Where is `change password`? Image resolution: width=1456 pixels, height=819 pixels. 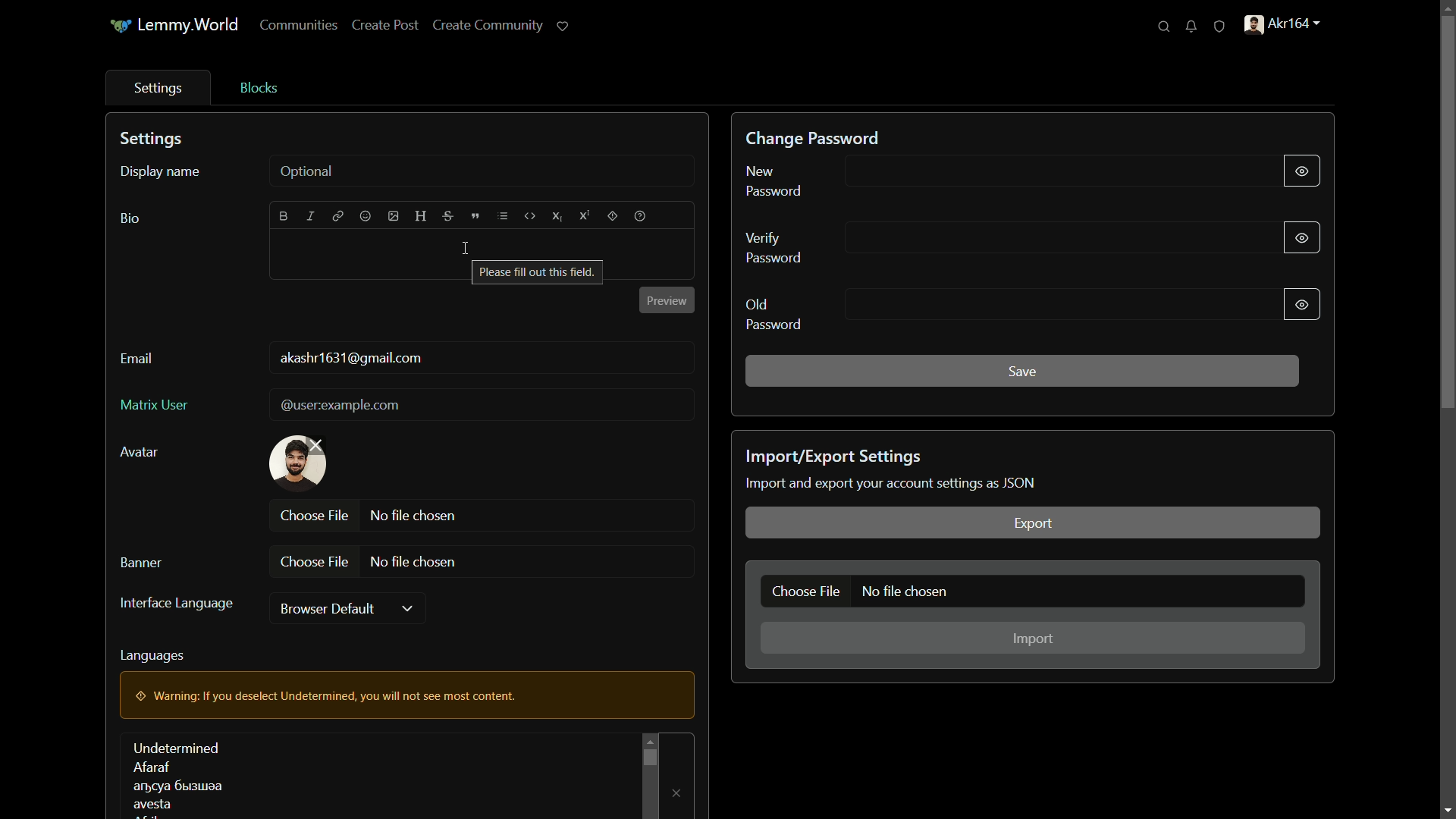
change password is located at coordinates (811, 139).